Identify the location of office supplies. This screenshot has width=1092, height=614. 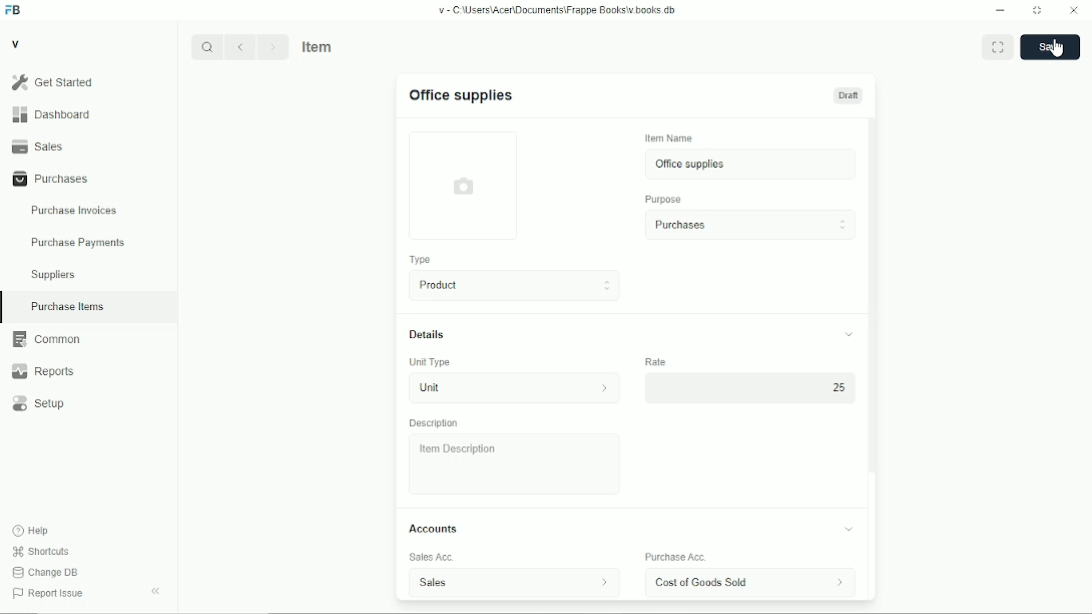
(460, 95).